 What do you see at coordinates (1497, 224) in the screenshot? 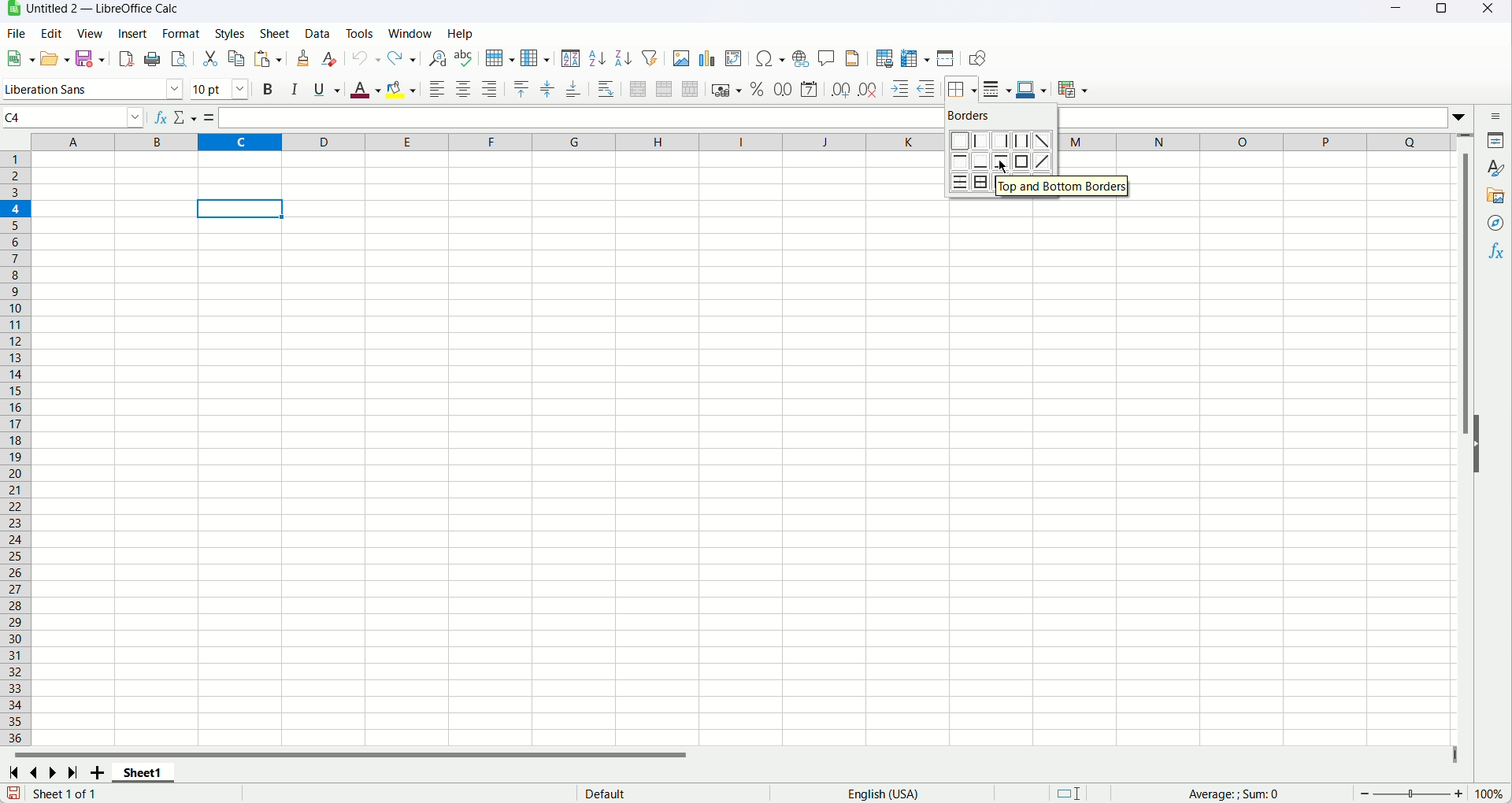
I see `Navigator` at bounding box center [1497, 224].